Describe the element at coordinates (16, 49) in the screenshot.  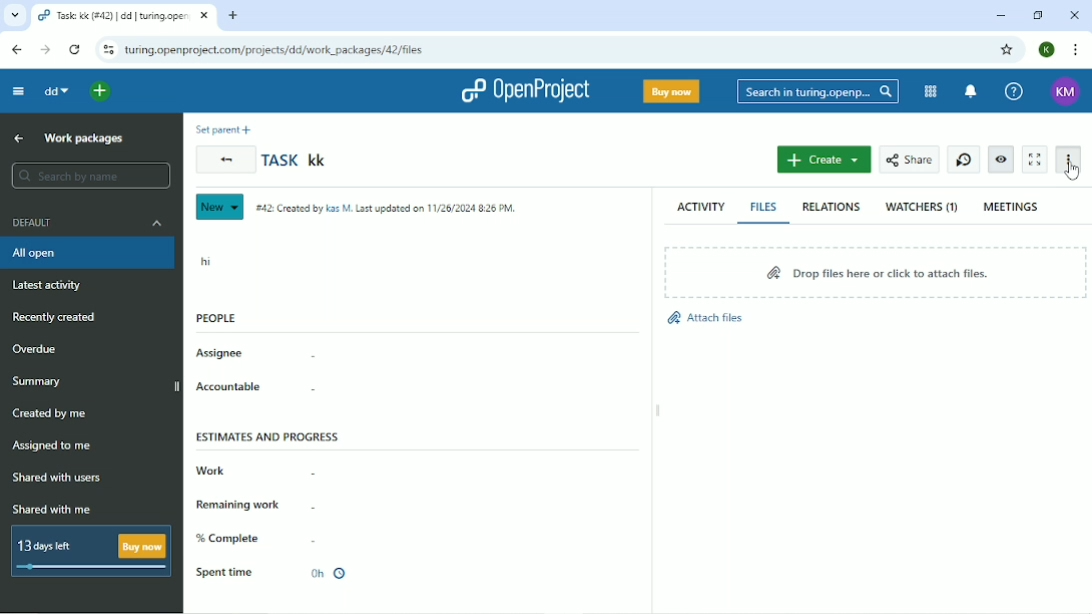
I see `Back` at that location.